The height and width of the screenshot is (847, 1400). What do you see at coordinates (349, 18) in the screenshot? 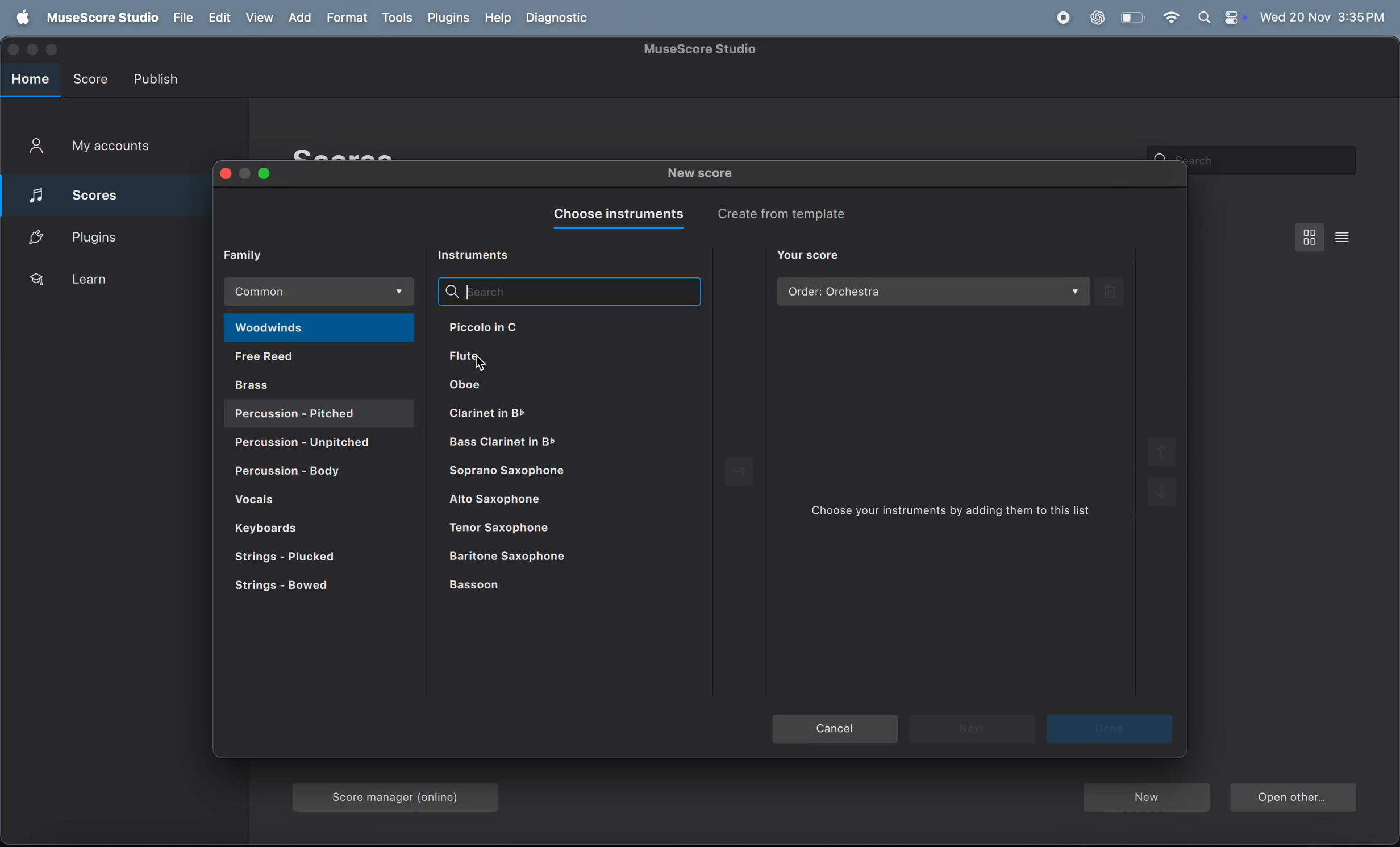
I see `format` at bounding box center [349, 18].